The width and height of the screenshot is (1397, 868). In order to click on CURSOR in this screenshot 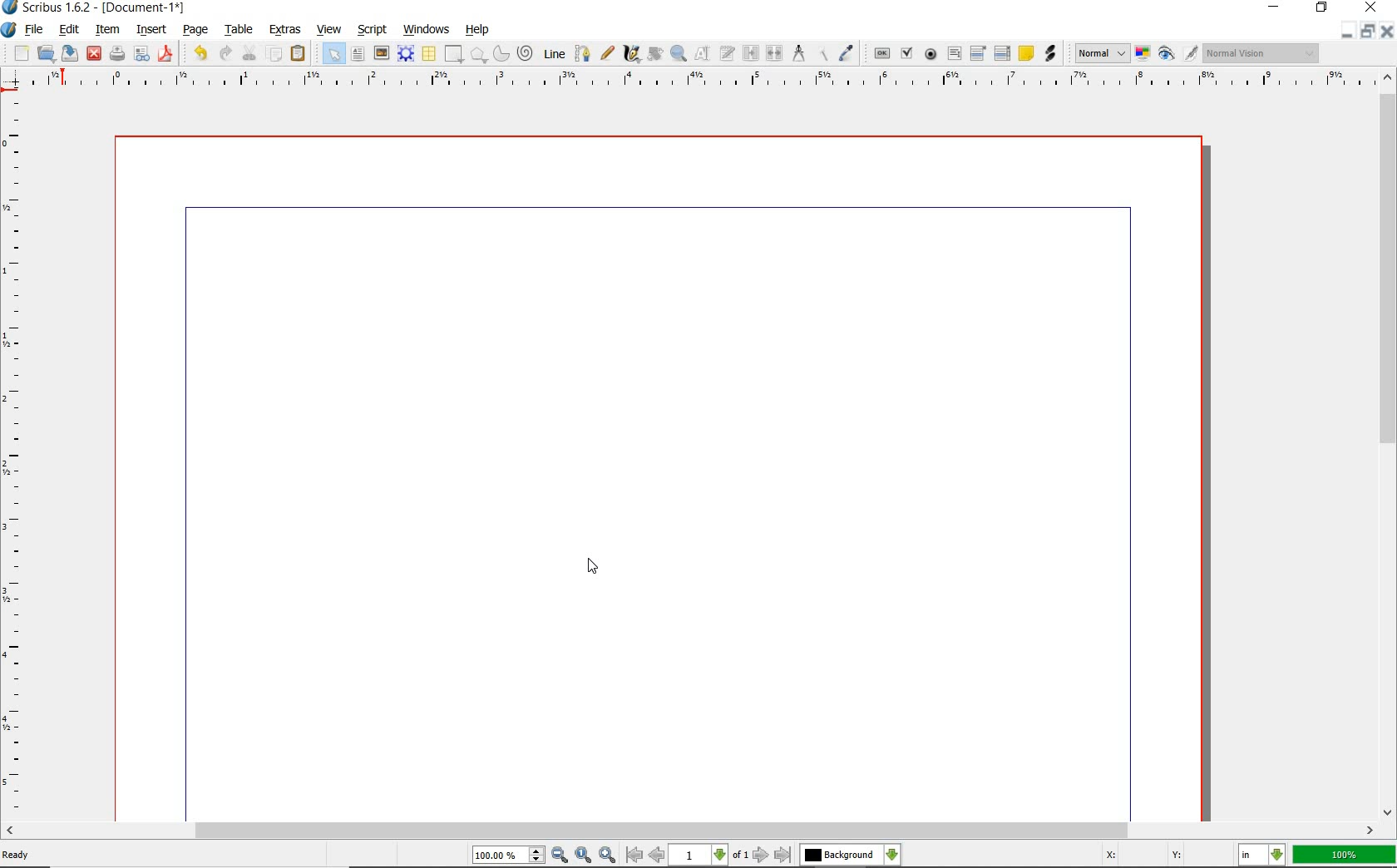, I will do `click(590, 570)`.